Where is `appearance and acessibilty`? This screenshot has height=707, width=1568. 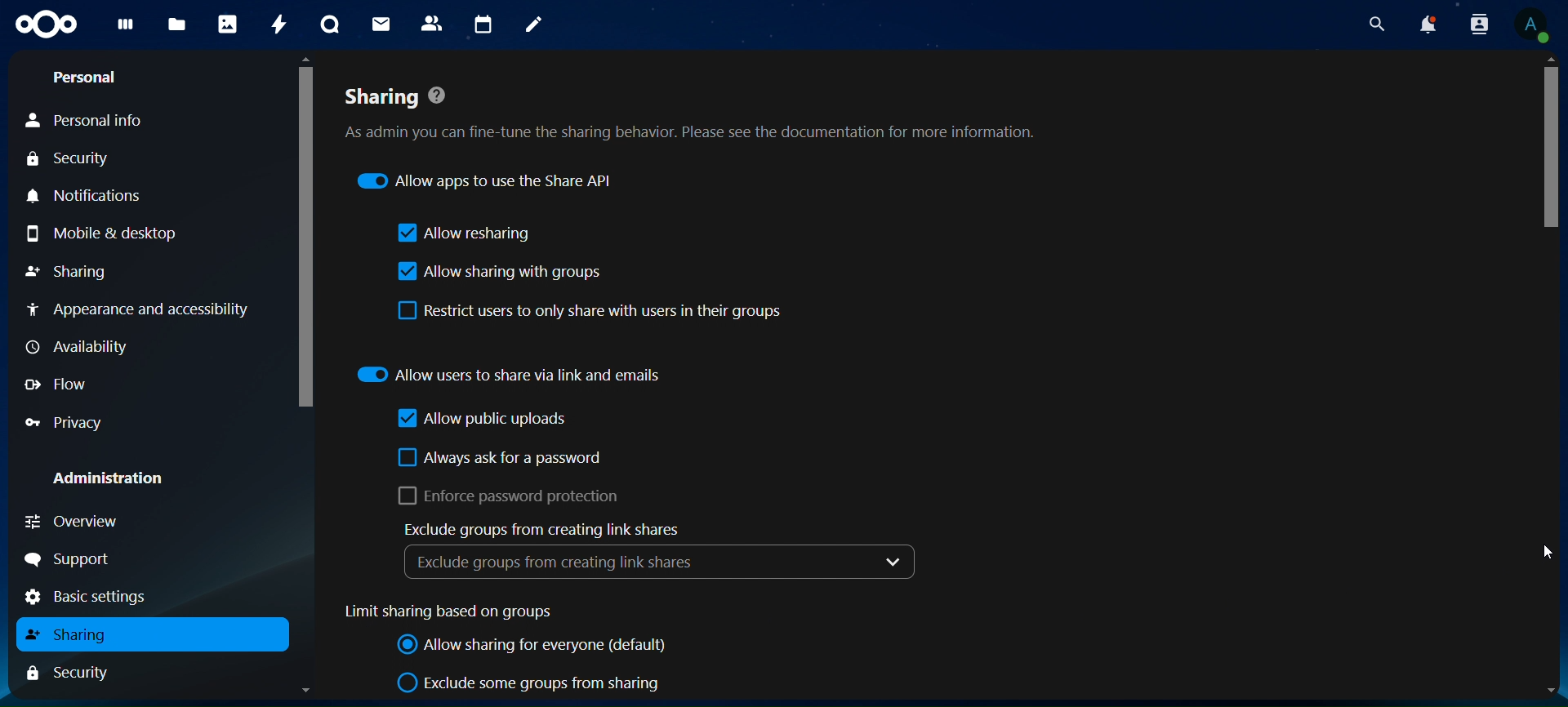
appearance and acessibilty is located at coordinates (141, 306).